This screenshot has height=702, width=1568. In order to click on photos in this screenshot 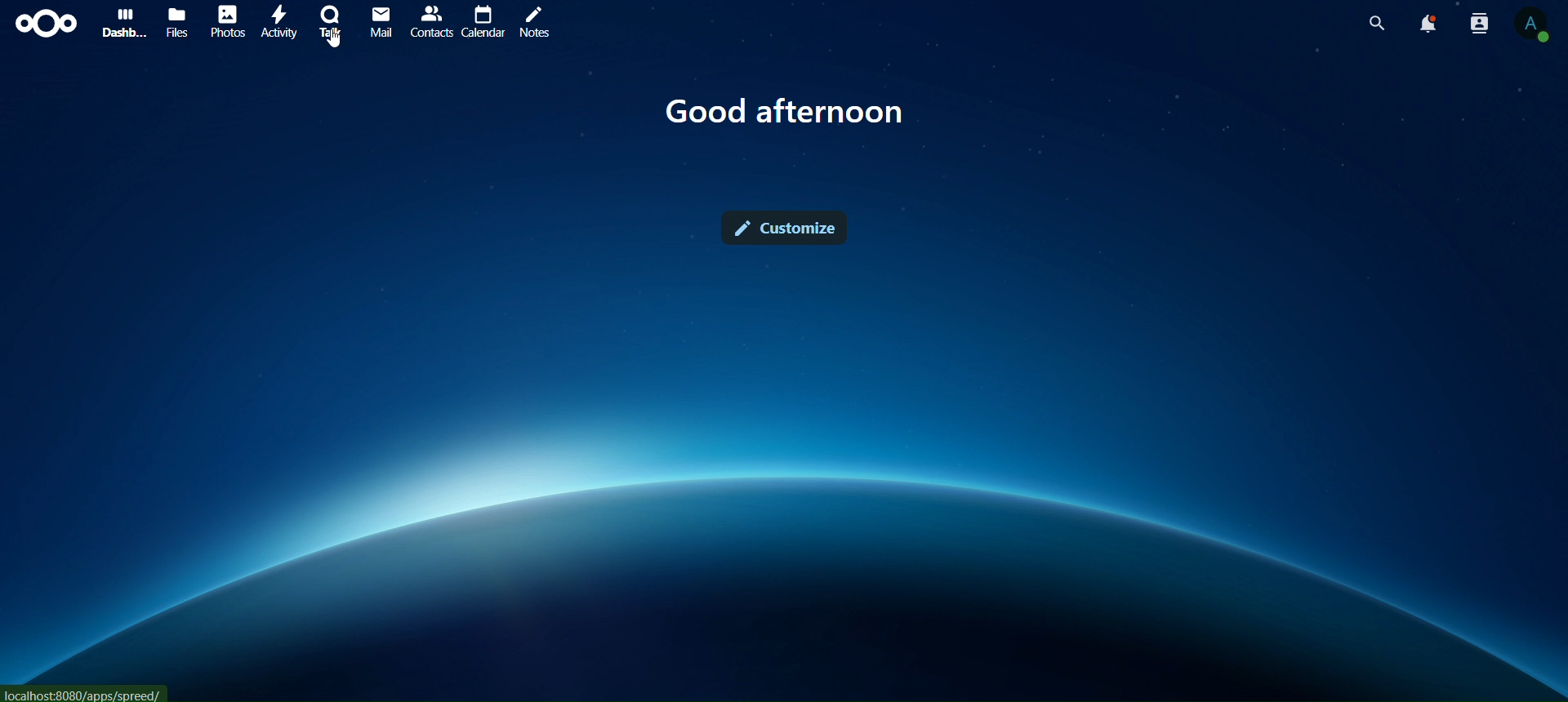, I will do `click(230, 20)`.